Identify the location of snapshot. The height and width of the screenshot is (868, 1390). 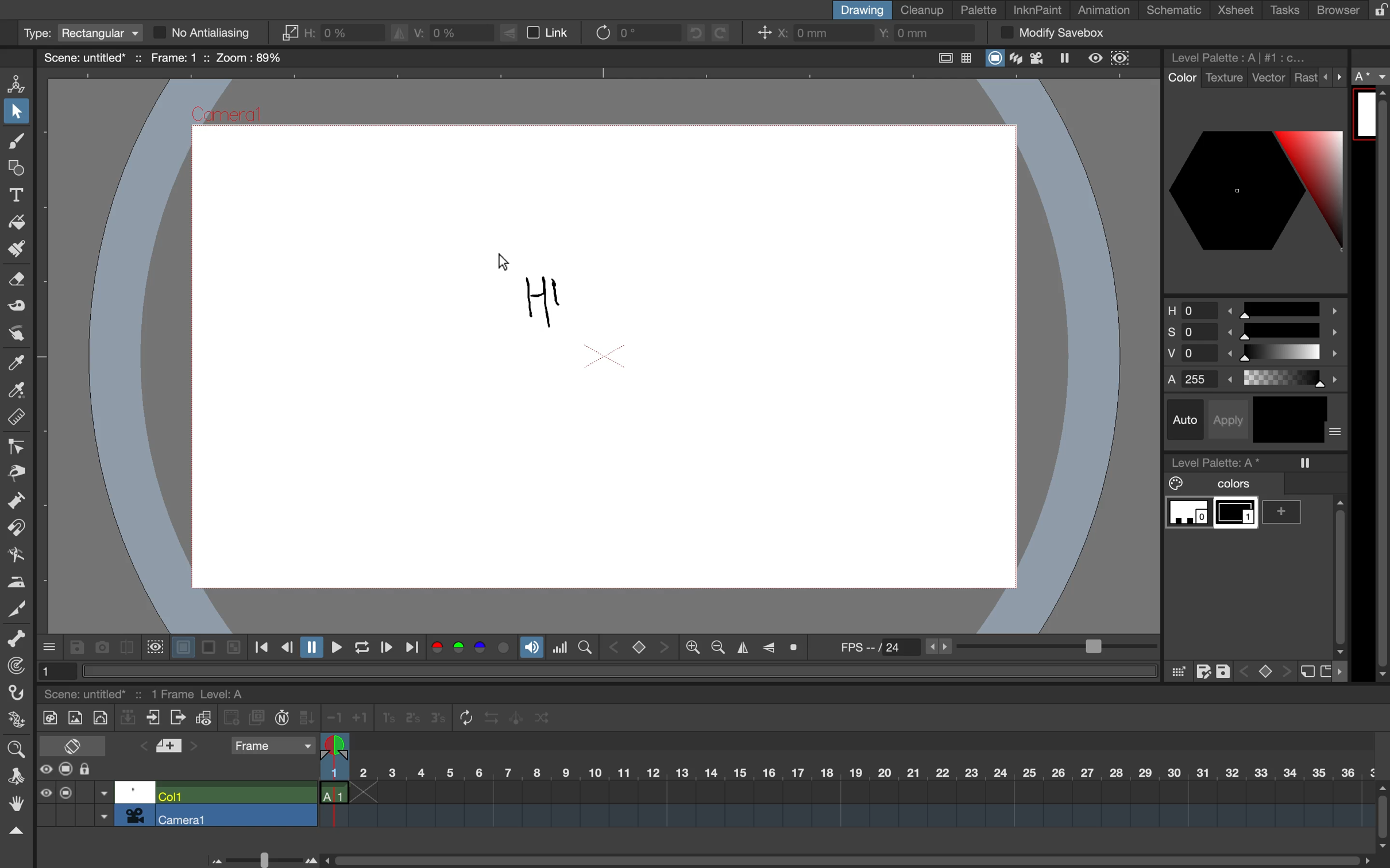
(100, 646).